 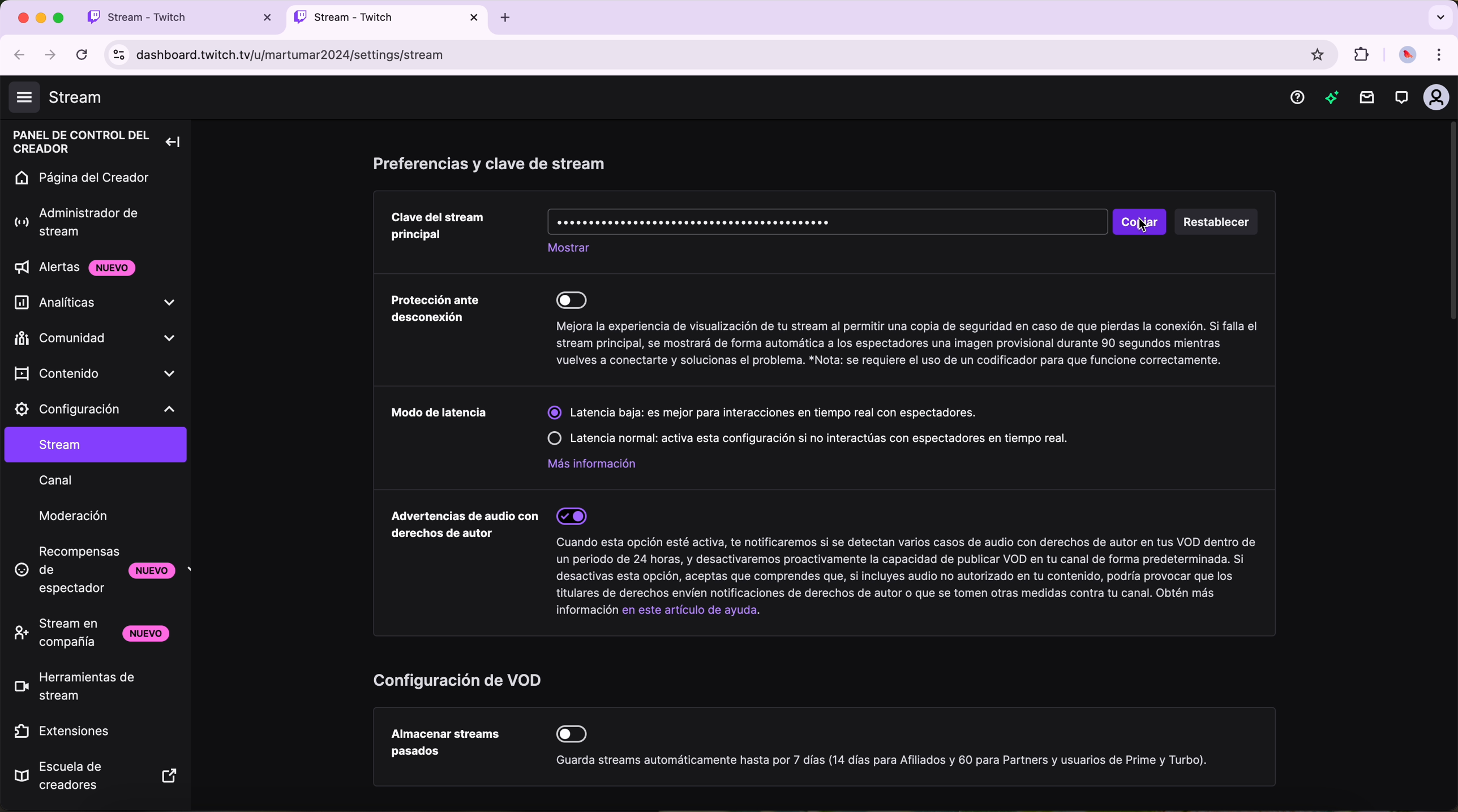 I want to click on alerts, so click(x=75, y=269).